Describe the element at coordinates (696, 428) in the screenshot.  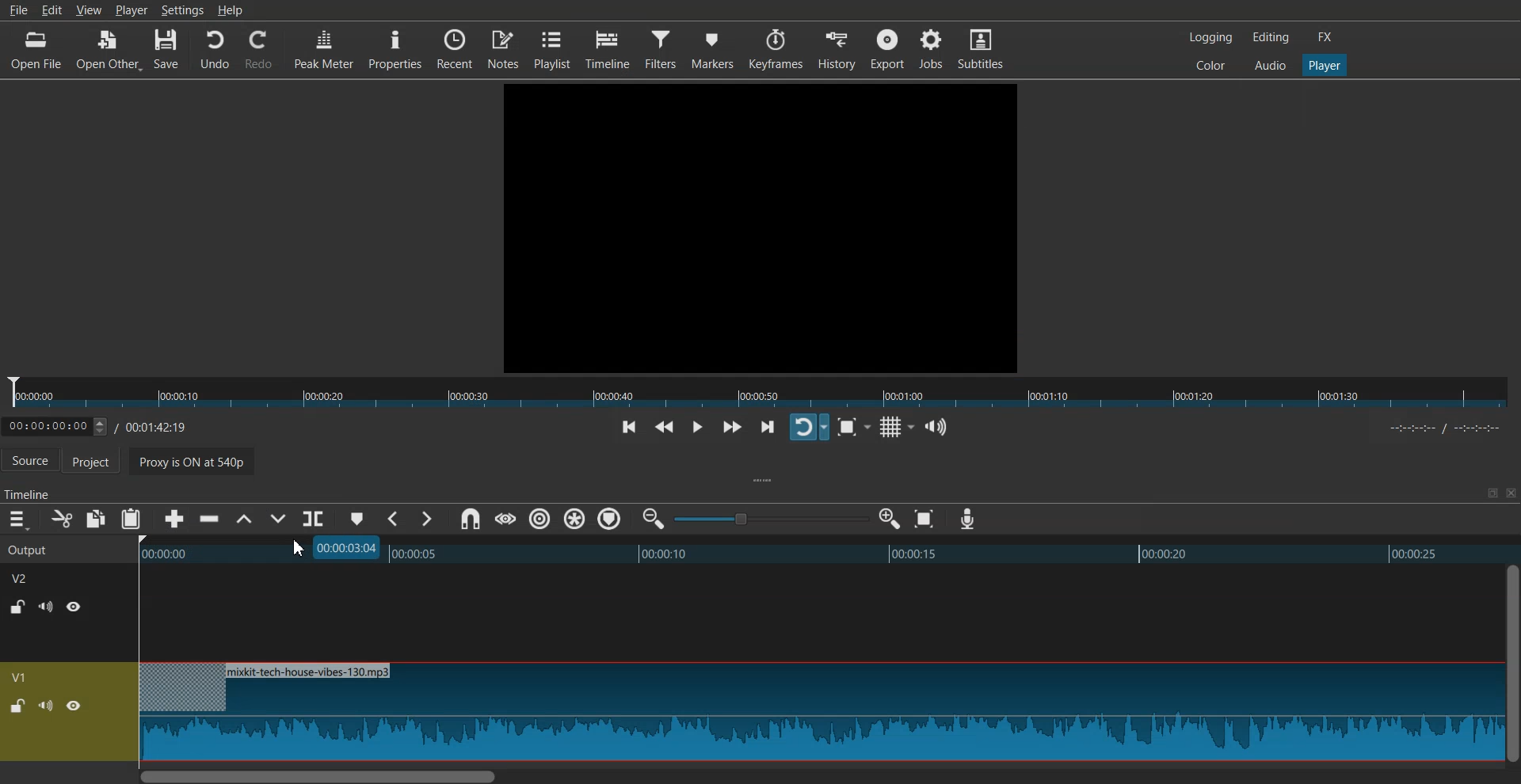
I see `Toggle play or pause` at that location.